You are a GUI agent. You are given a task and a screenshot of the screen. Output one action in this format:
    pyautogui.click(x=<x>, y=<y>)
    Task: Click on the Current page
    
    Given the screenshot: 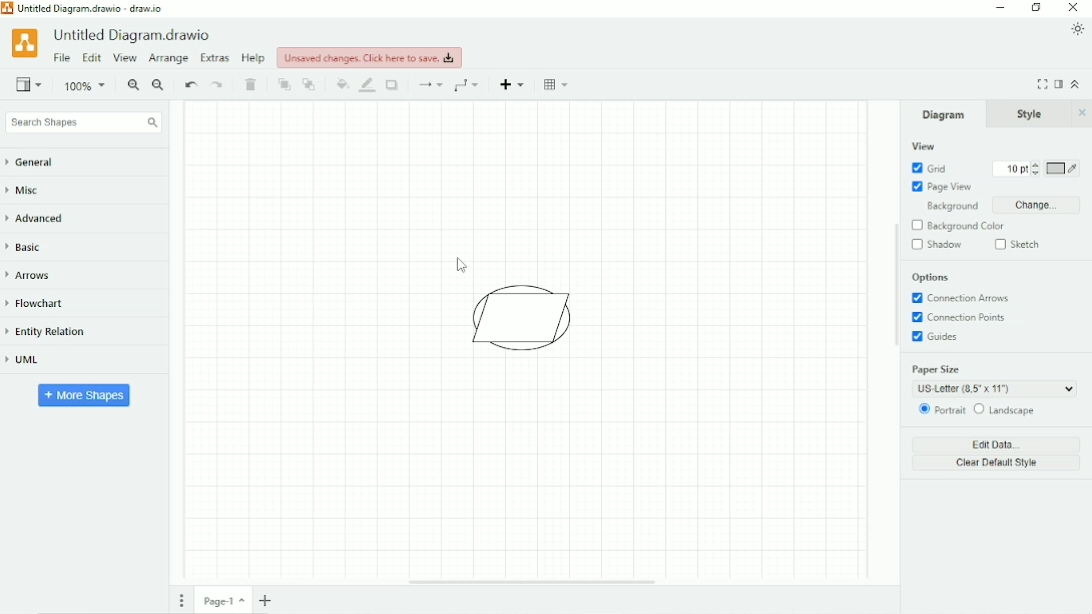 What is the action you would take?
    pyautogui.click(x=224, y=600)
    